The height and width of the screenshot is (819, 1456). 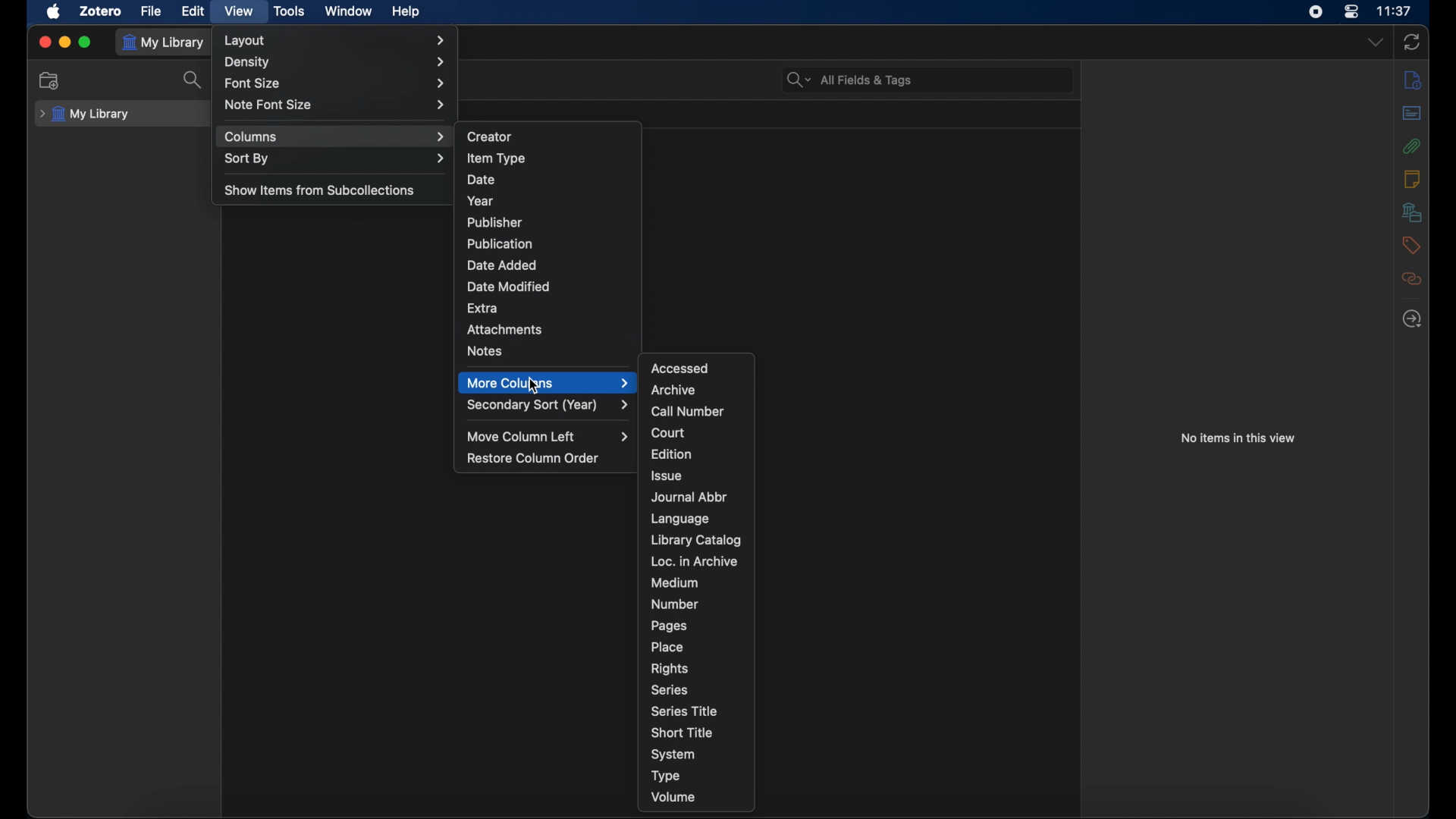 What do you see at coordinates (666, 475) in the screenshot?
I see `issue` at bounding box center [666, 475].